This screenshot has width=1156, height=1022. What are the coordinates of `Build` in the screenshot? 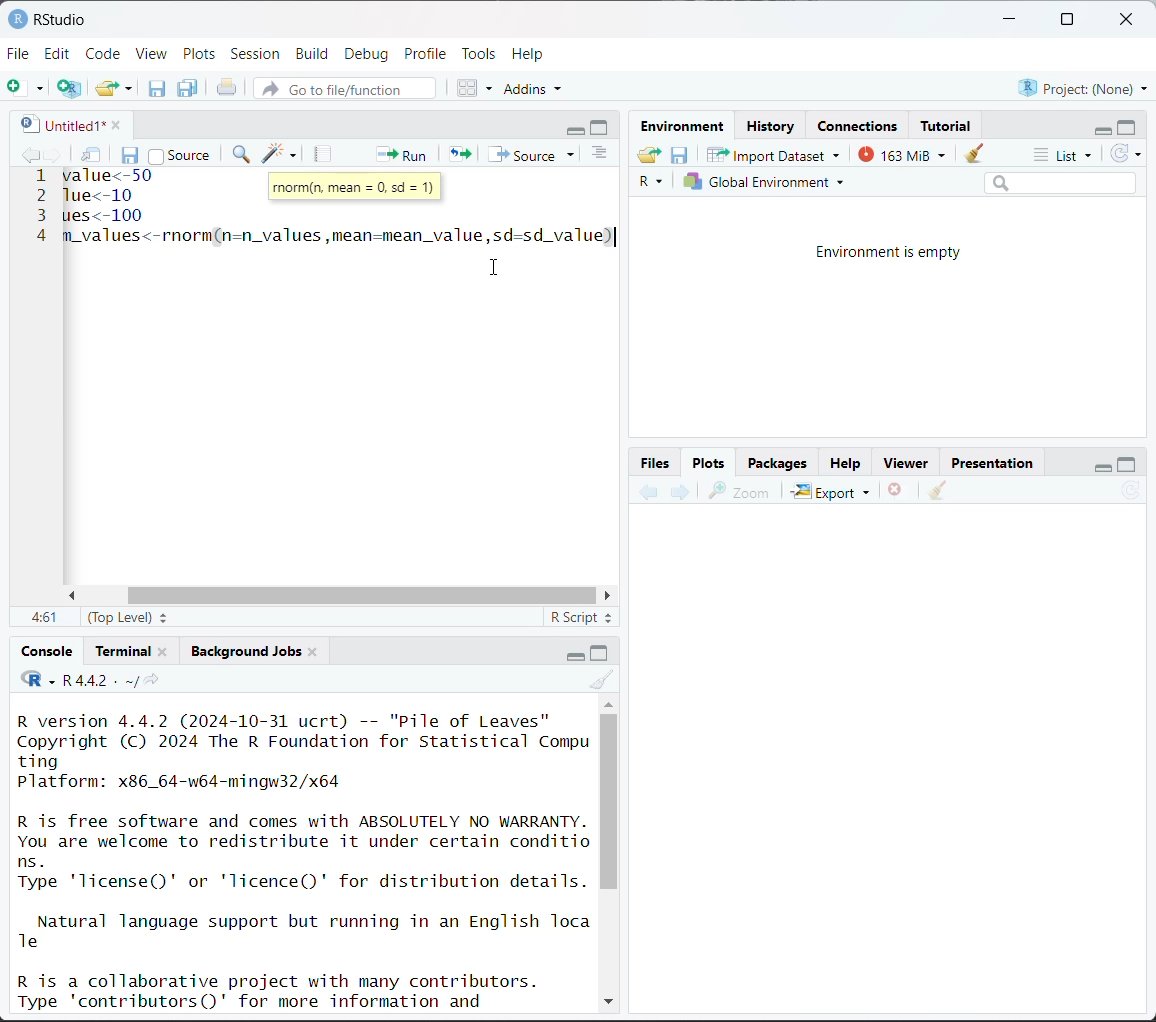 It's located at (315, 54).